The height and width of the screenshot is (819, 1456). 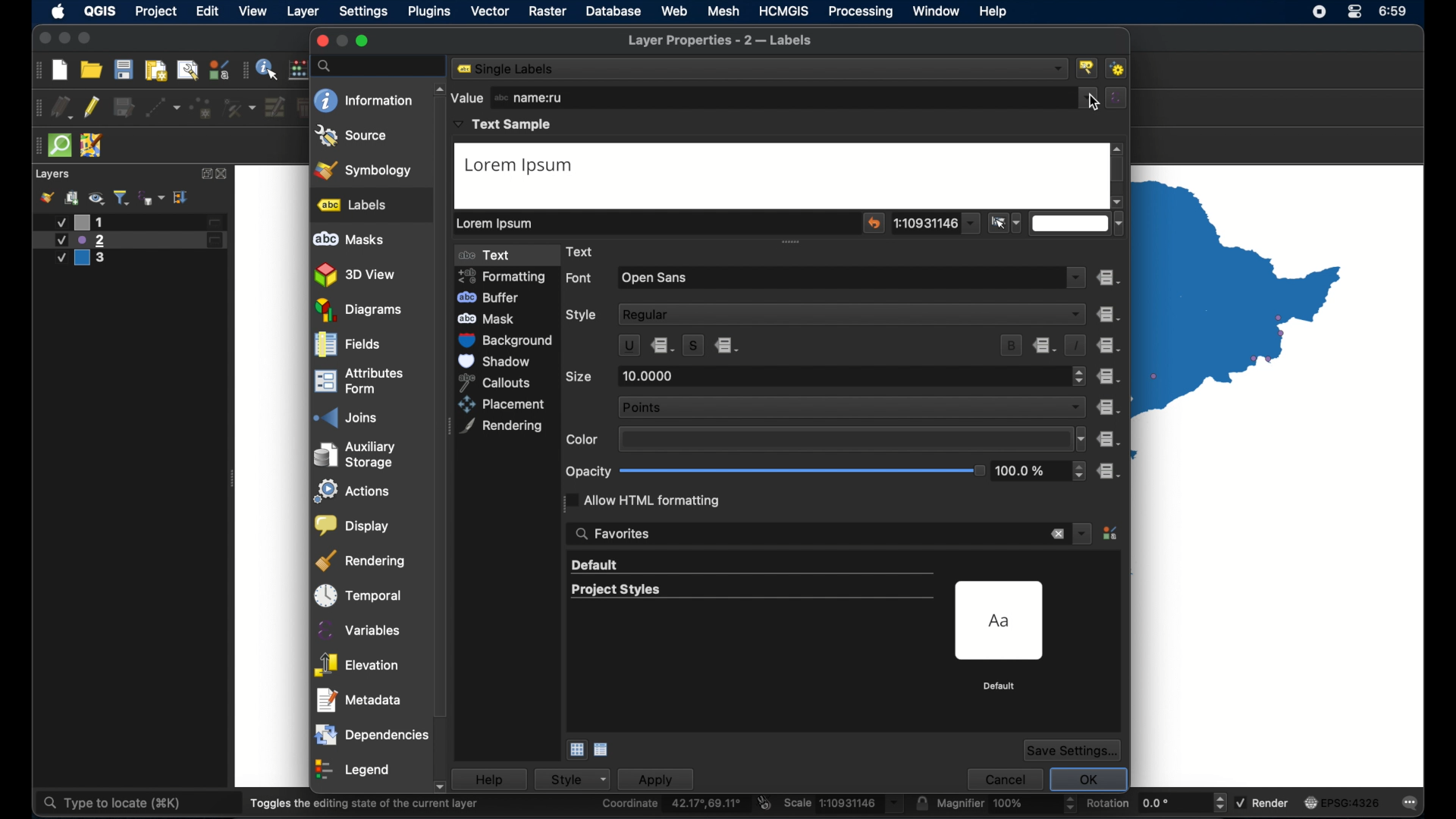 I want to click on search bar, so click(x=381, y=66).